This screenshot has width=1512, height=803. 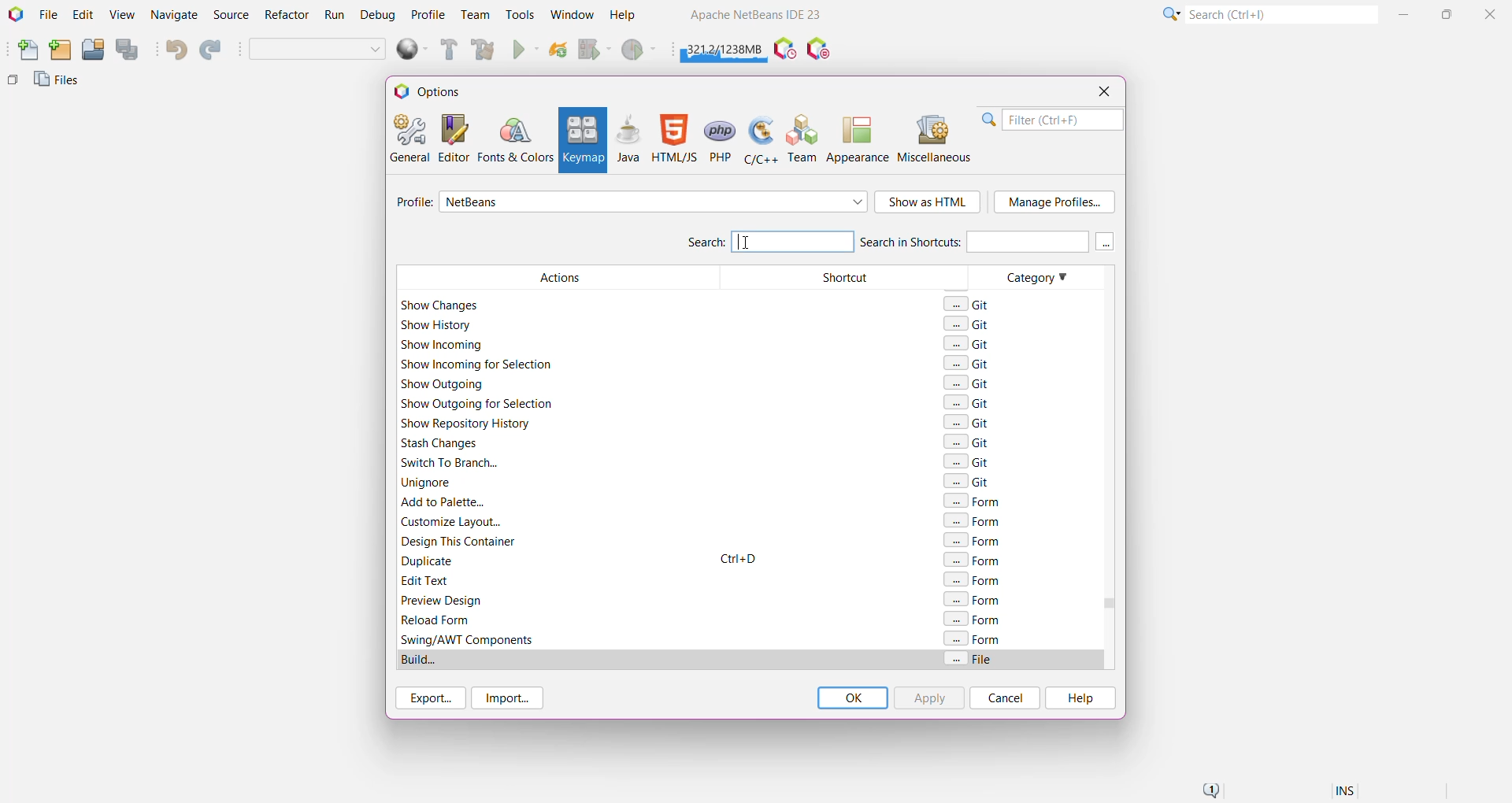 What do you see at coordinates (408, 137) in the screenshot?
I see `General` at bounding box center [408, 137].